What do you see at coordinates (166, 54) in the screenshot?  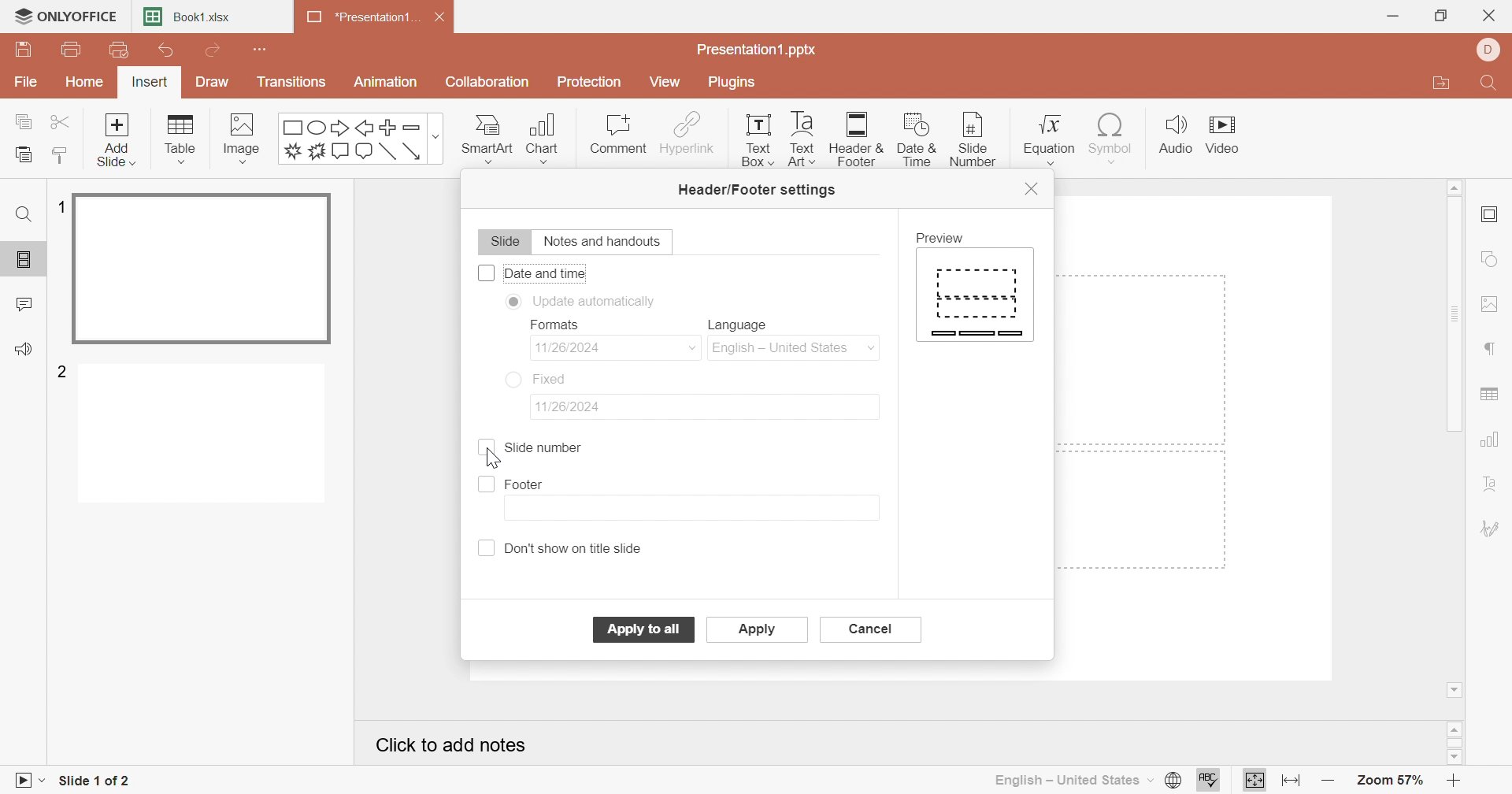 I see `Undo` at bounding box center [166, 54].